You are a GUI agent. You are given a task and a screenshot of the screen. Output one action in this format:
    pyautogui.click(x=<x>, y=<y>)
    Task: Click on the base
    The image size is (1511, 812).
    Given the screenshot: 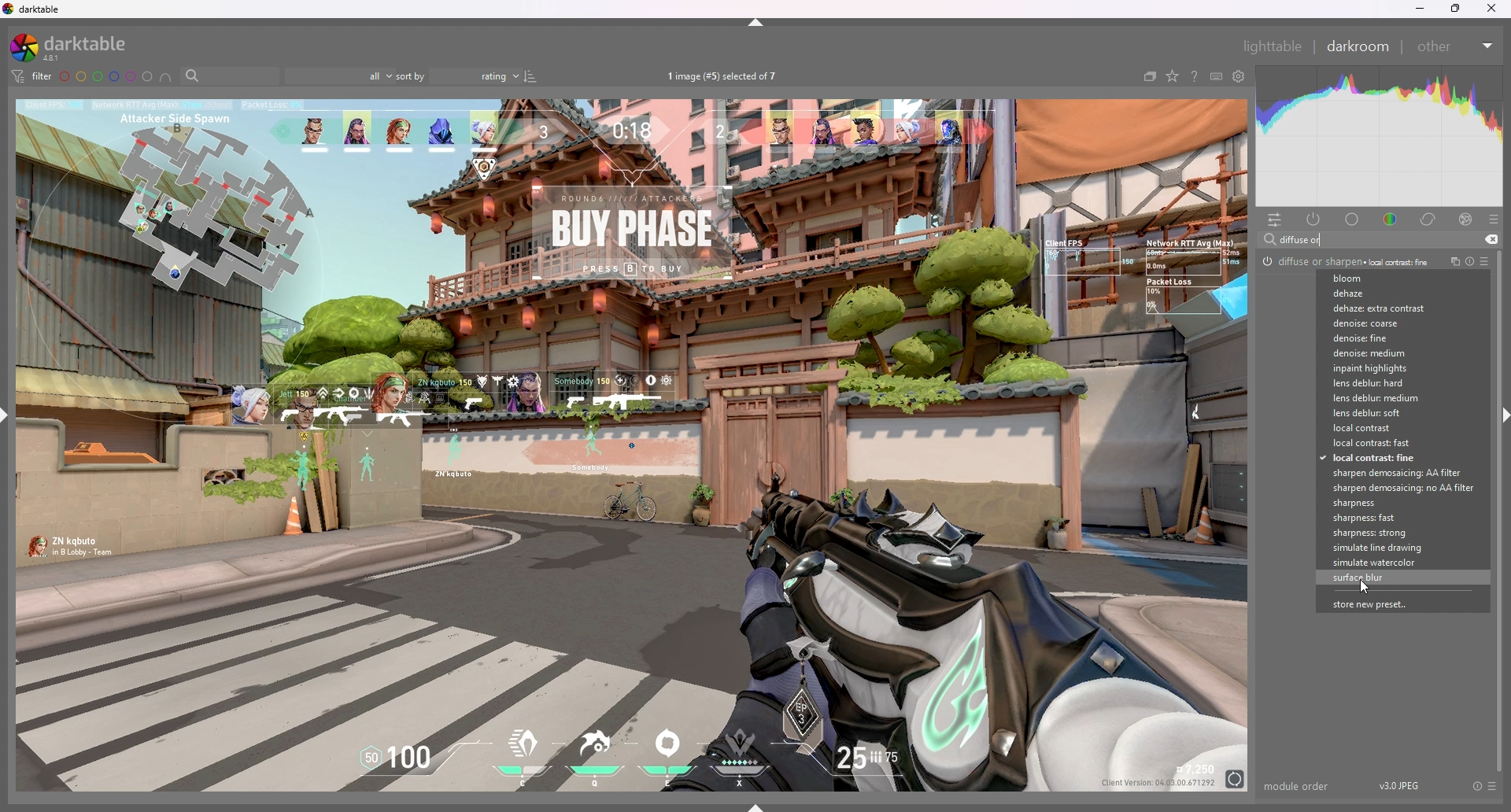 What is the action you would take?
    pyautogui.click(x=1353, y=219)
    